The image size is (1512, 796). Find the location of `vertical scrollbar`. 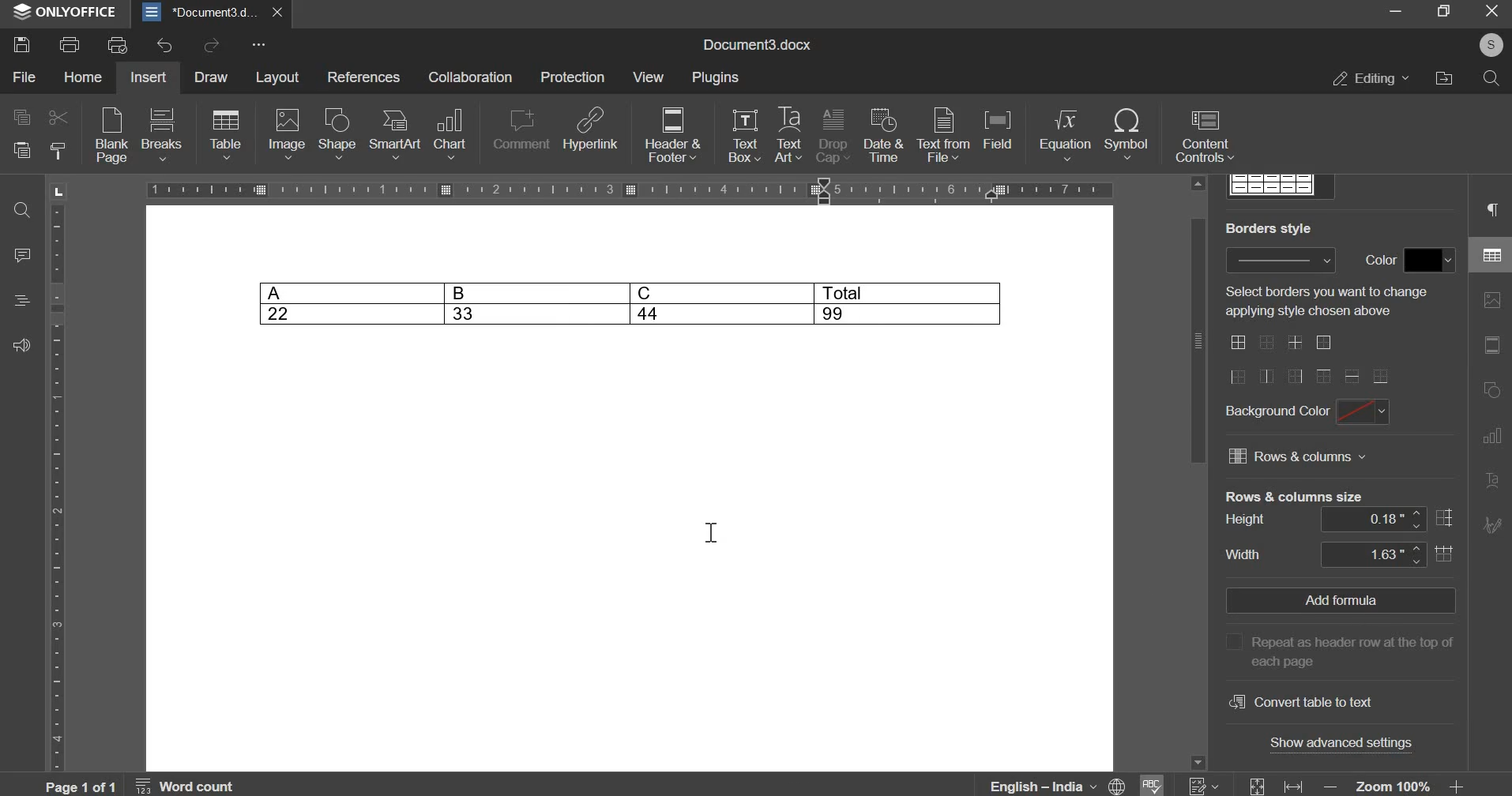

vertical scrollbar is located at coordinates (1461, 539).